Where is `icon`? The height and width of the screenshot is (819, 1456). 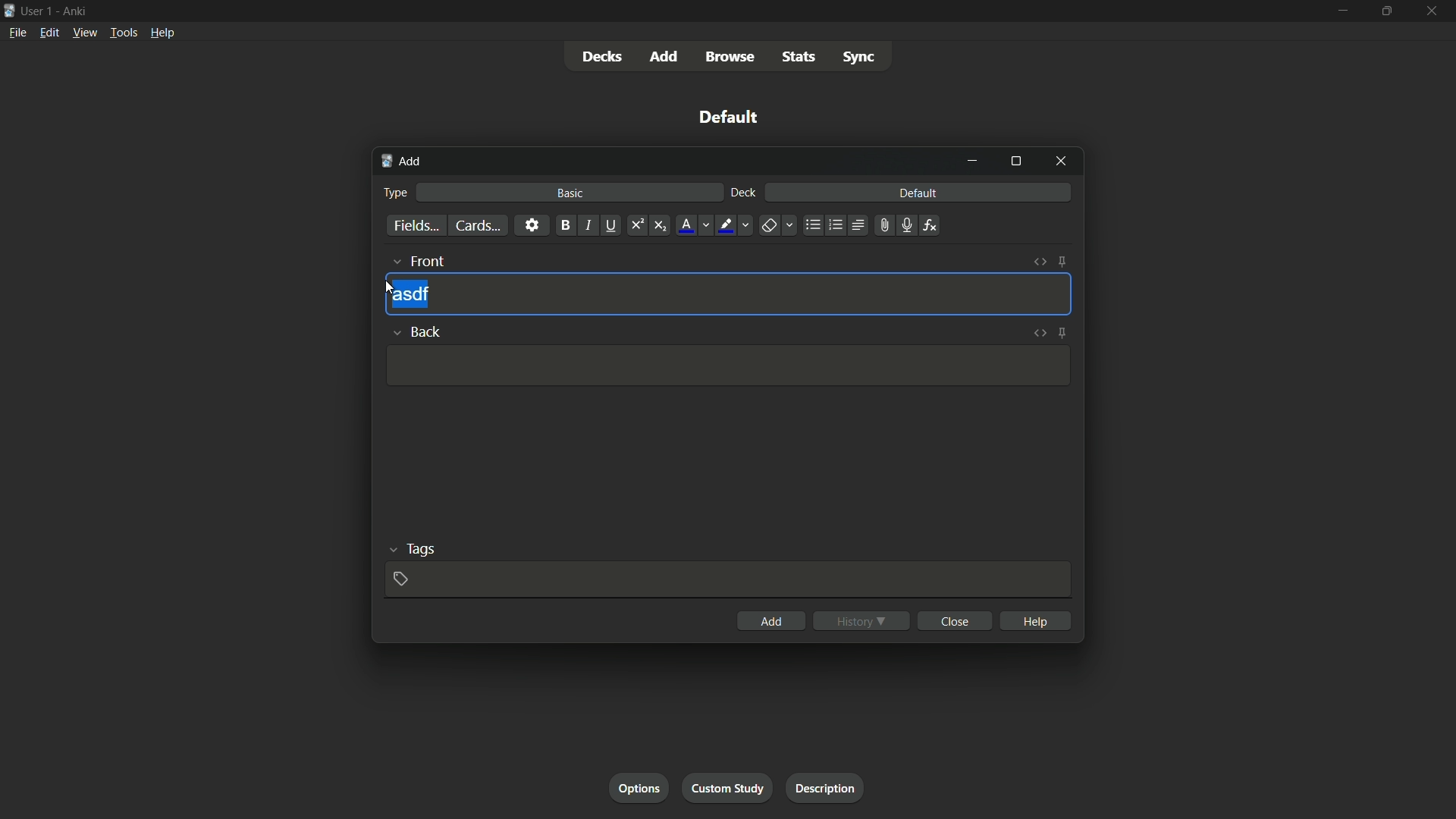
icon is located at coordinates (9, 9).